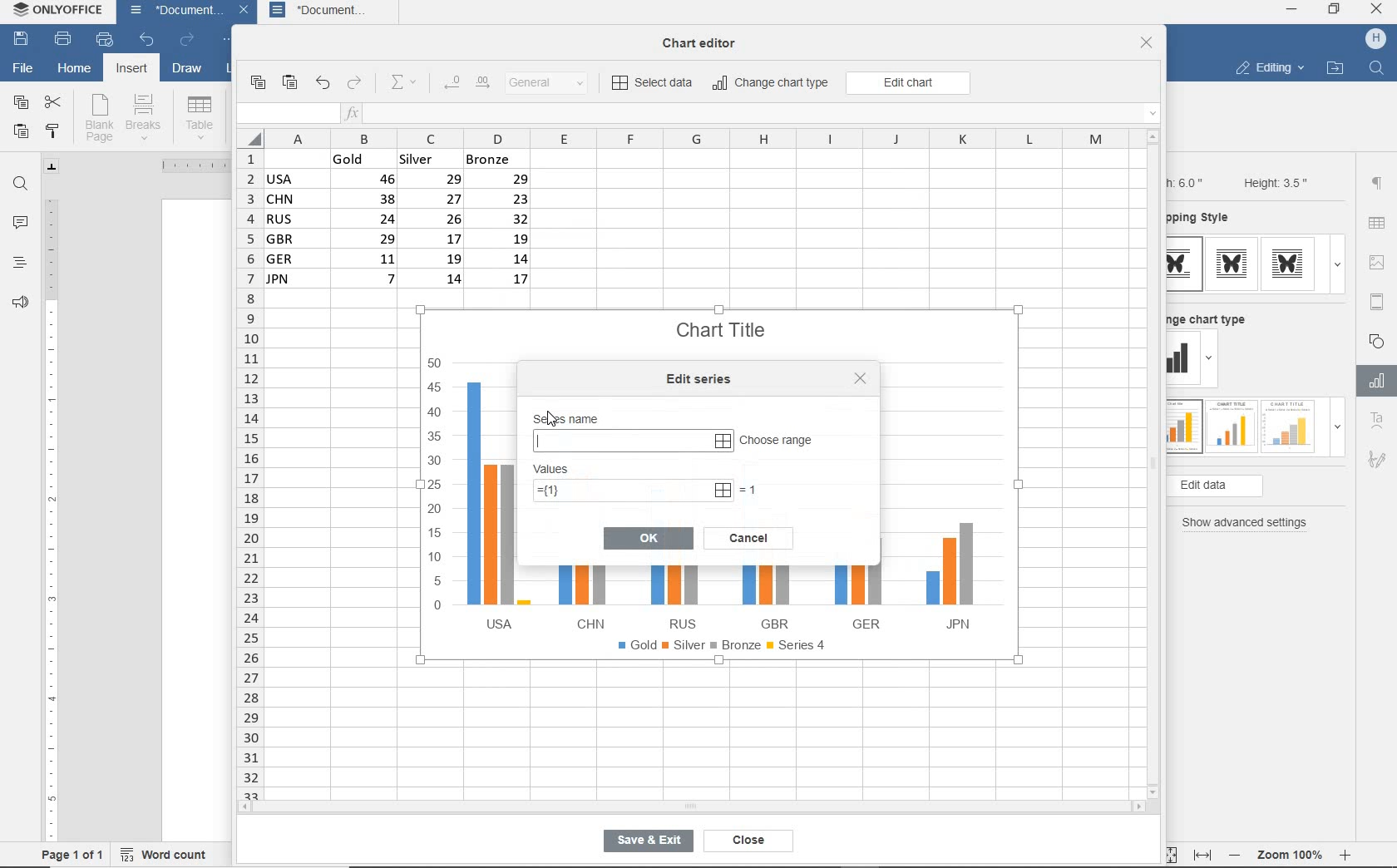 Image resolution: width=1397 pixels, height=868 pixels. Describe the element at coordinates (1376, 39) in the screenshot. I see `hp` at that location.